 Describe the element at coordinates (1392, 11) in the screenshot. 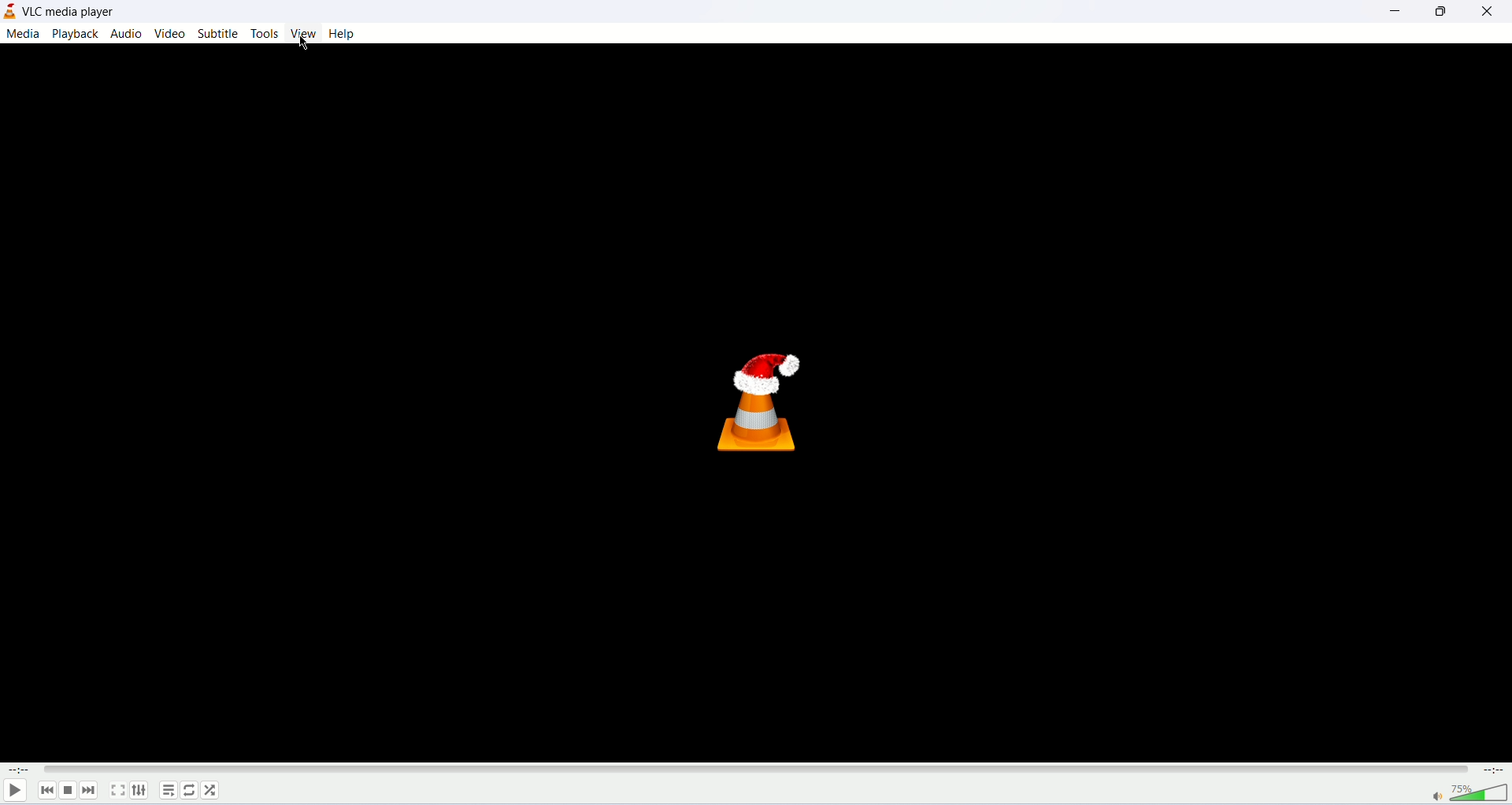

I see `minimize` at that location.